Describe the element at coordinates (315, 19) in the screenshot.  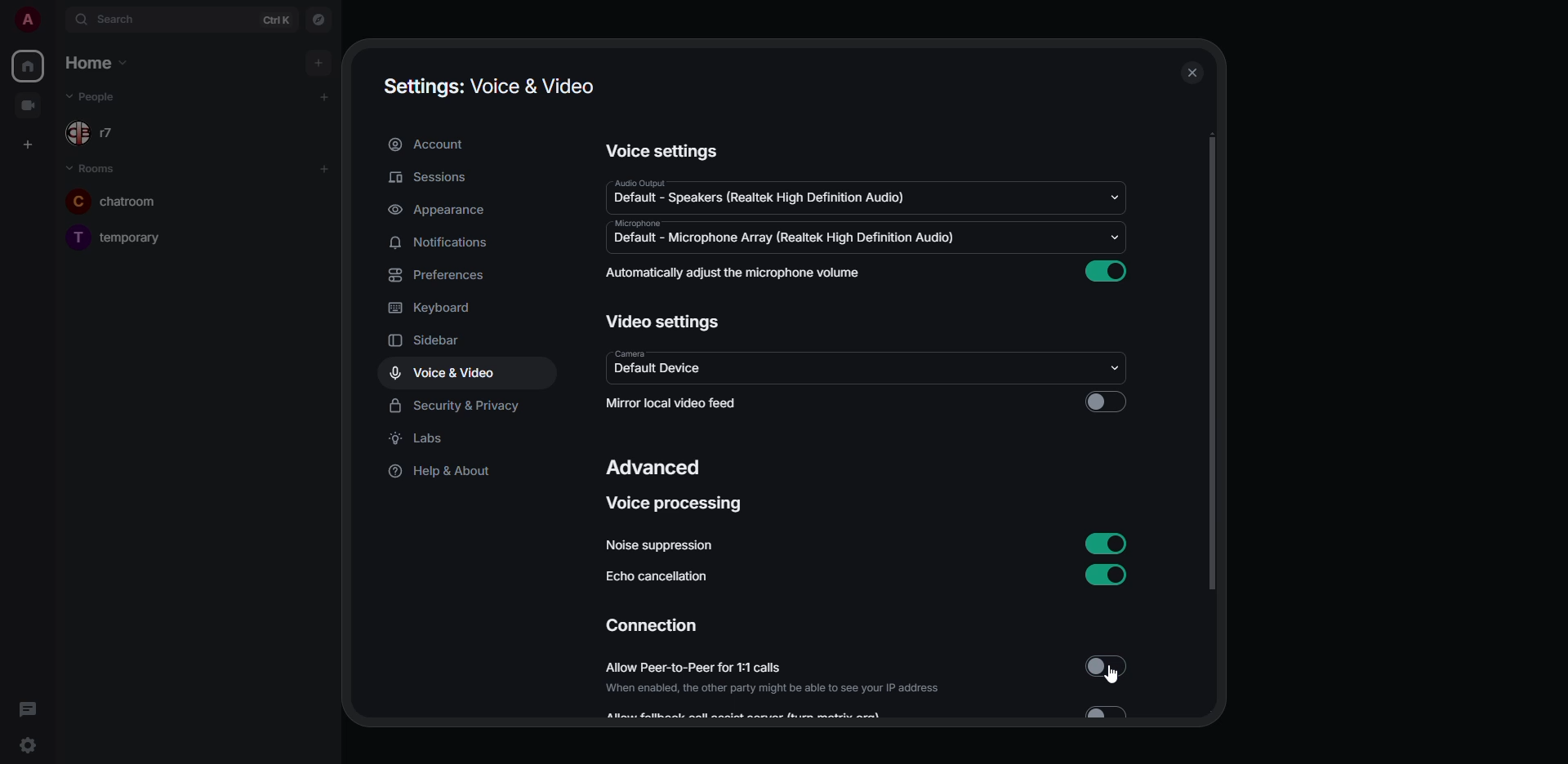
I see `navigator` at that location.